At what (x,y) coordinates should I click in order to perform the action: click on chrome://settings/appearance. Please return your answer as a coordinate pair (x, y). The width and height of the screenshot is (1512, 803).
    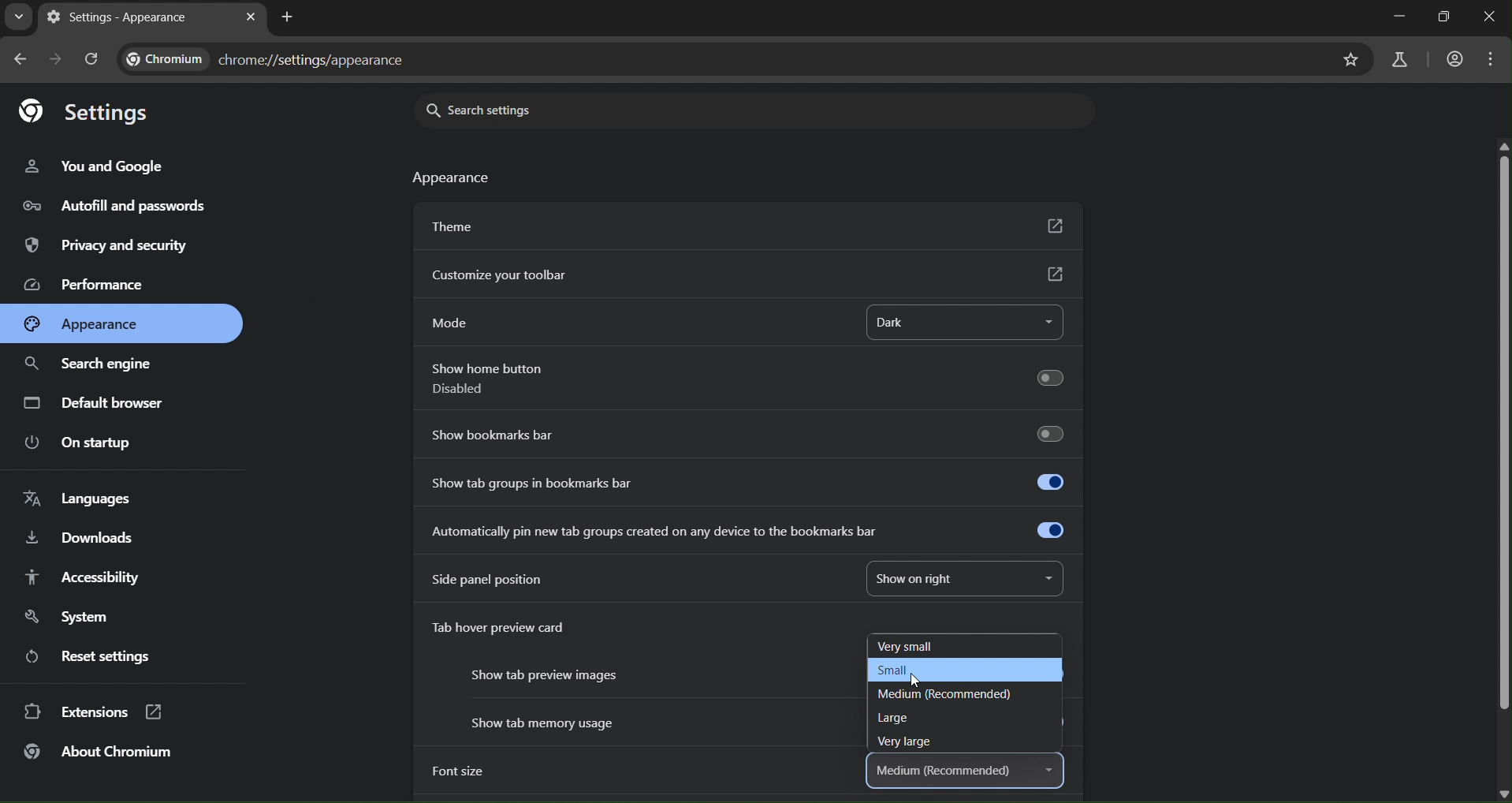
    Looking at the image, I should click on (263, 60).